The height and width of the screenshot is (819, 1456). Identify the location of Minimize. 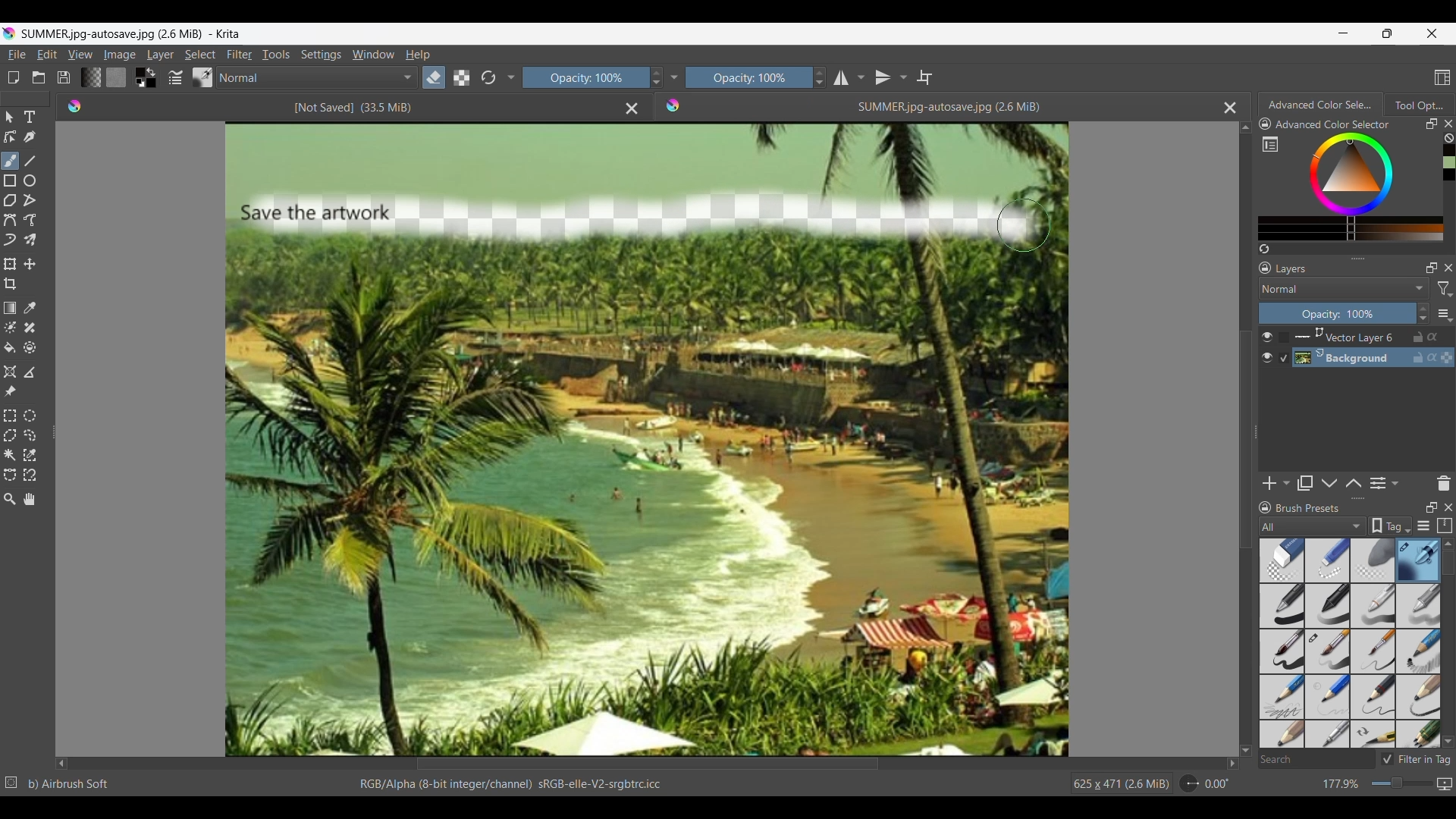
(1344, 33).